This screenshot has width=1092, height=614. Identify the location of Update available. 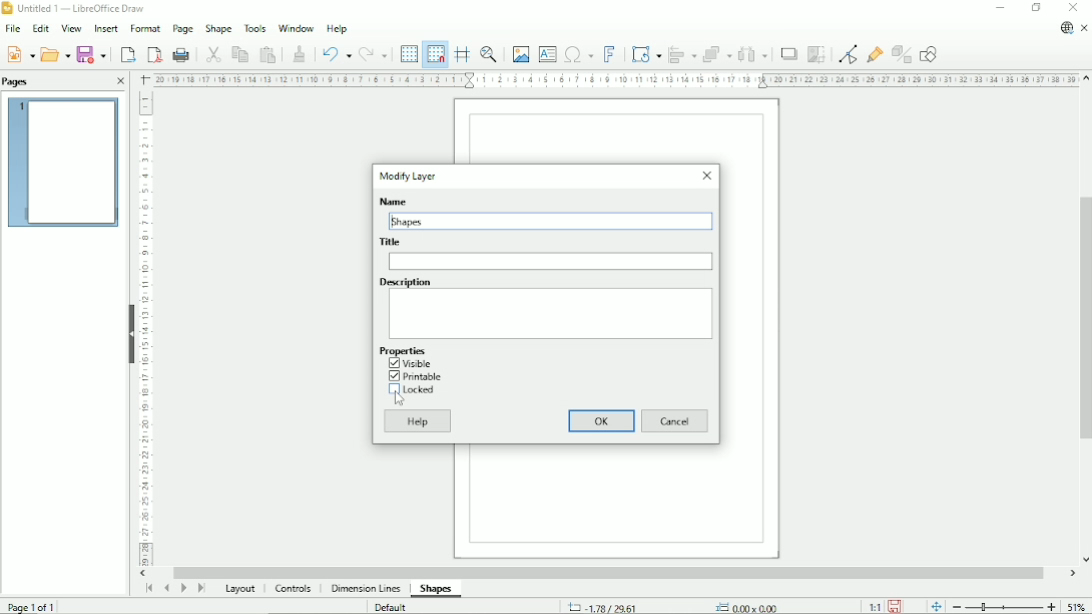
(1064, 29).